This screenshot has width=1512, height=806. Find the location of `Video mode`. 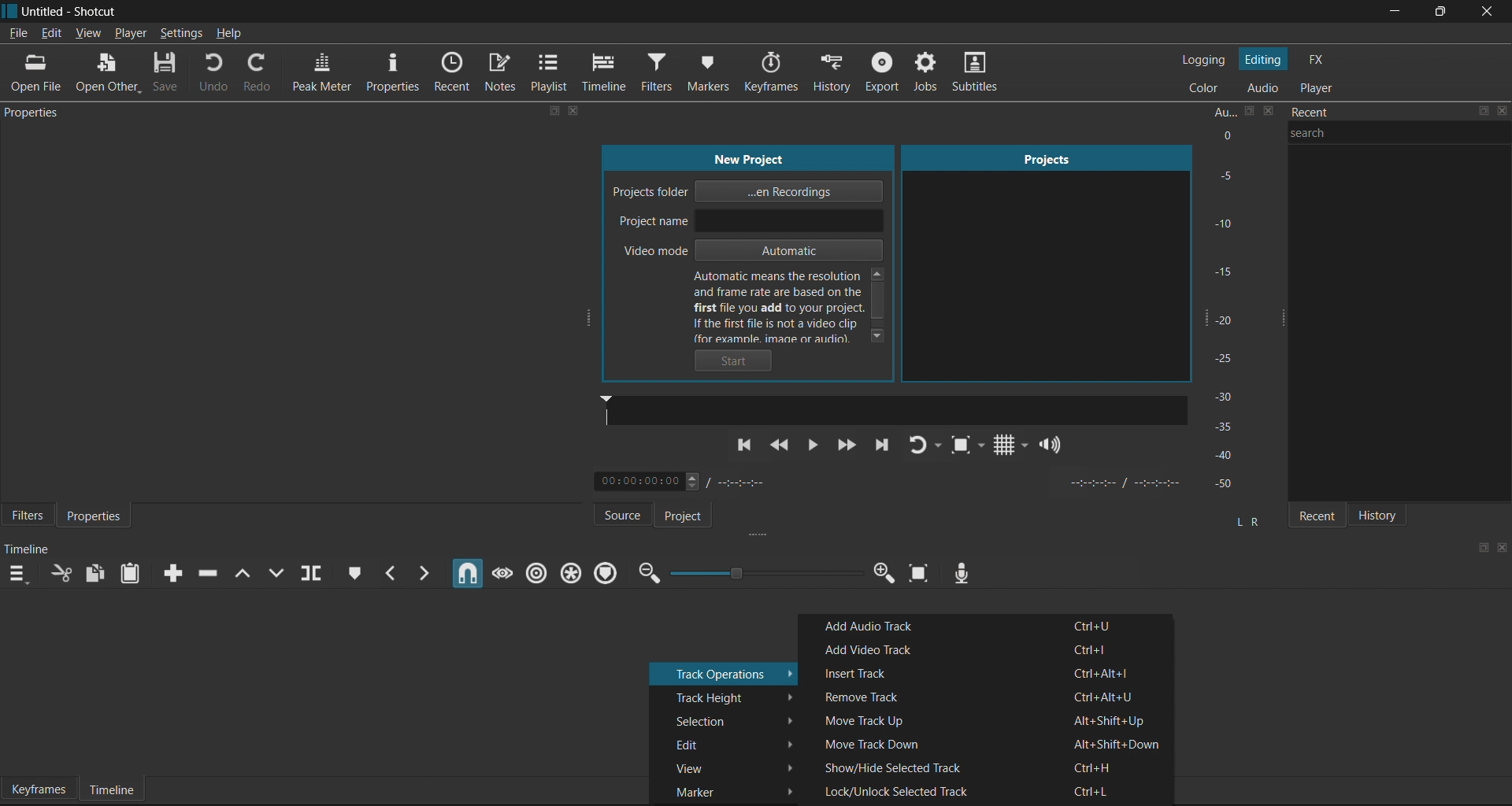

Video mode is located at coordinates (748, 252).